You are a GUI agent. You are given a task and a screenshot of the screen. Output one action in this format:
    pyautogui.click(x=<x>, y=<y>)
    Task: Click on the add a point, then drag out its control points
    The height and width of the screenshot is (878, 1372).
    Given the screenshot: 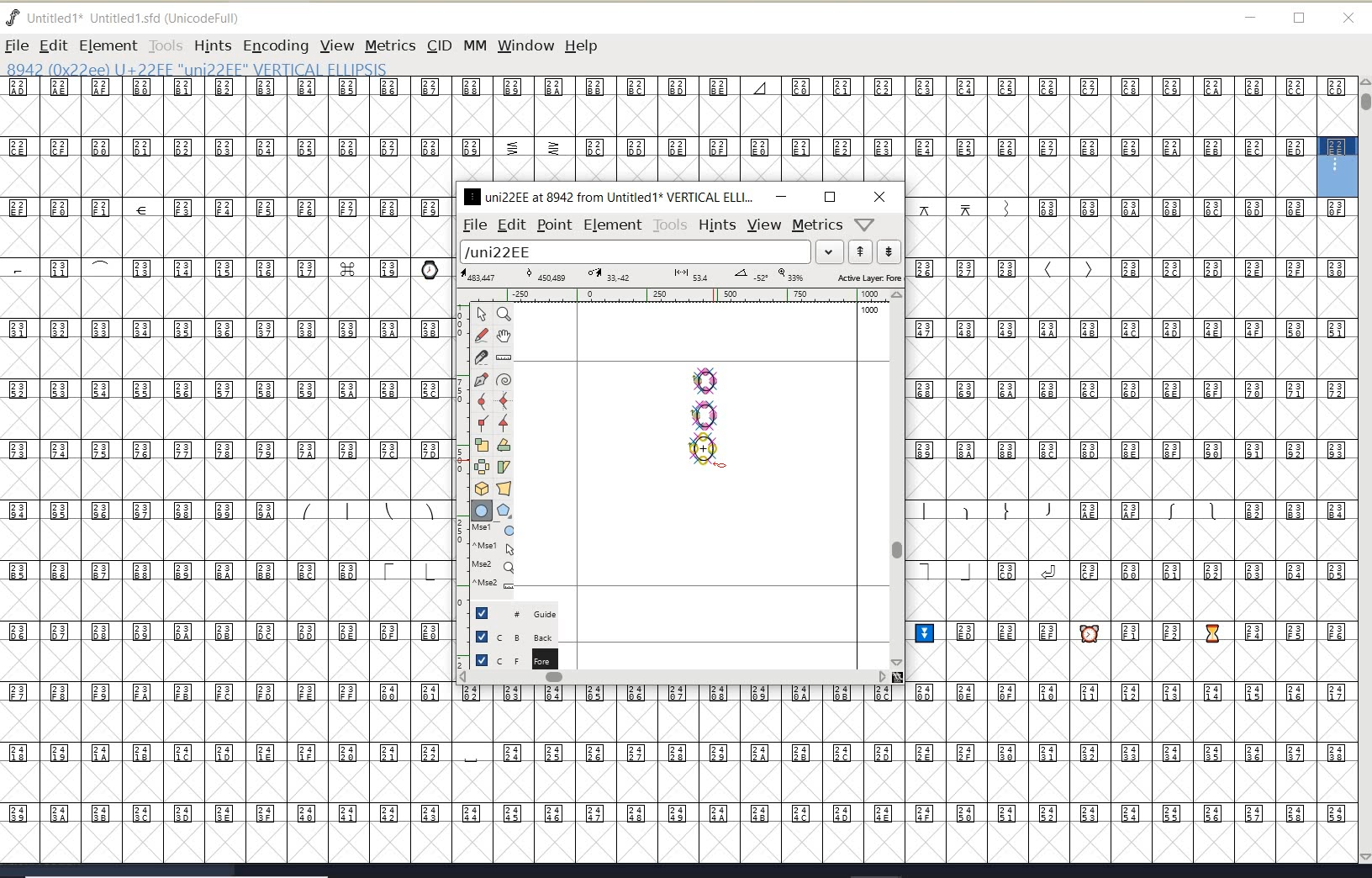 What is the action you would take?
    pyautogui.click(x=481, y=378)
    